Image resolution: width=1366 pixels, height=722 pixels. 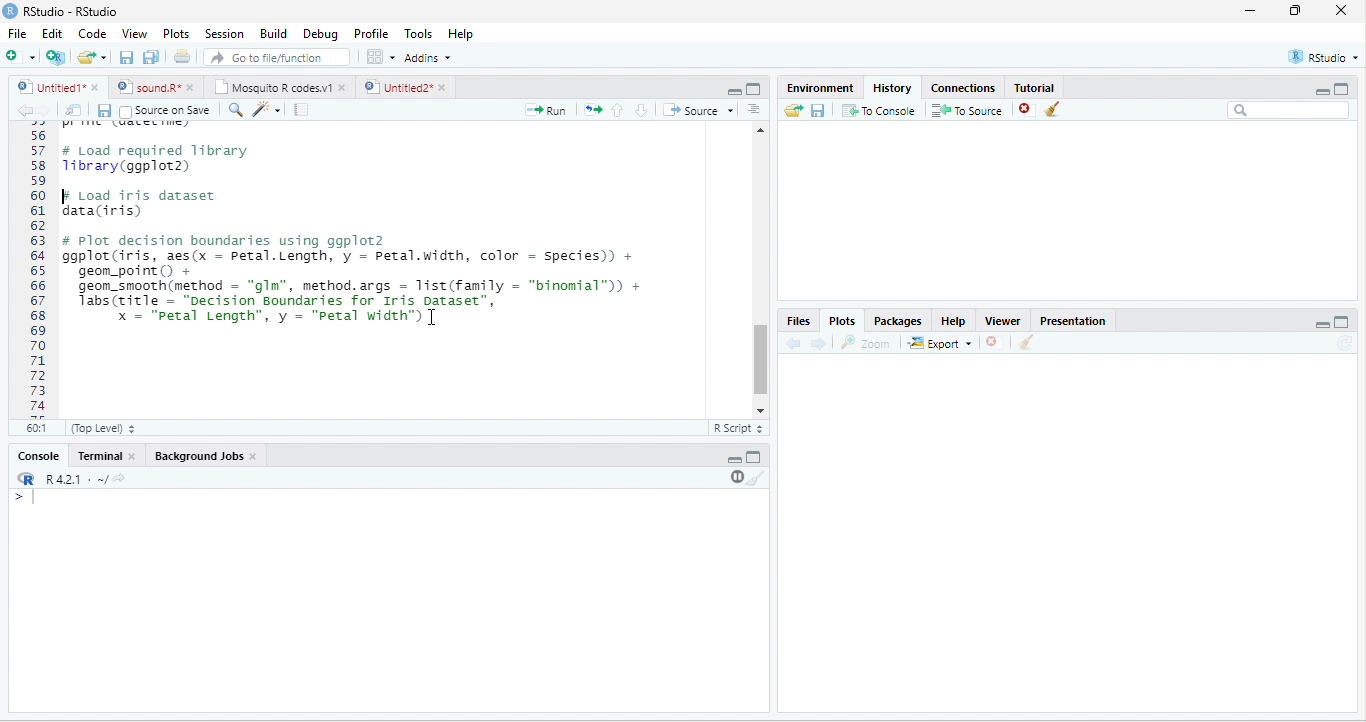 What do you see at coordinates (1035, 88) in the screenshot?
I see `Tutorial` at bounding box center [1035, 88].